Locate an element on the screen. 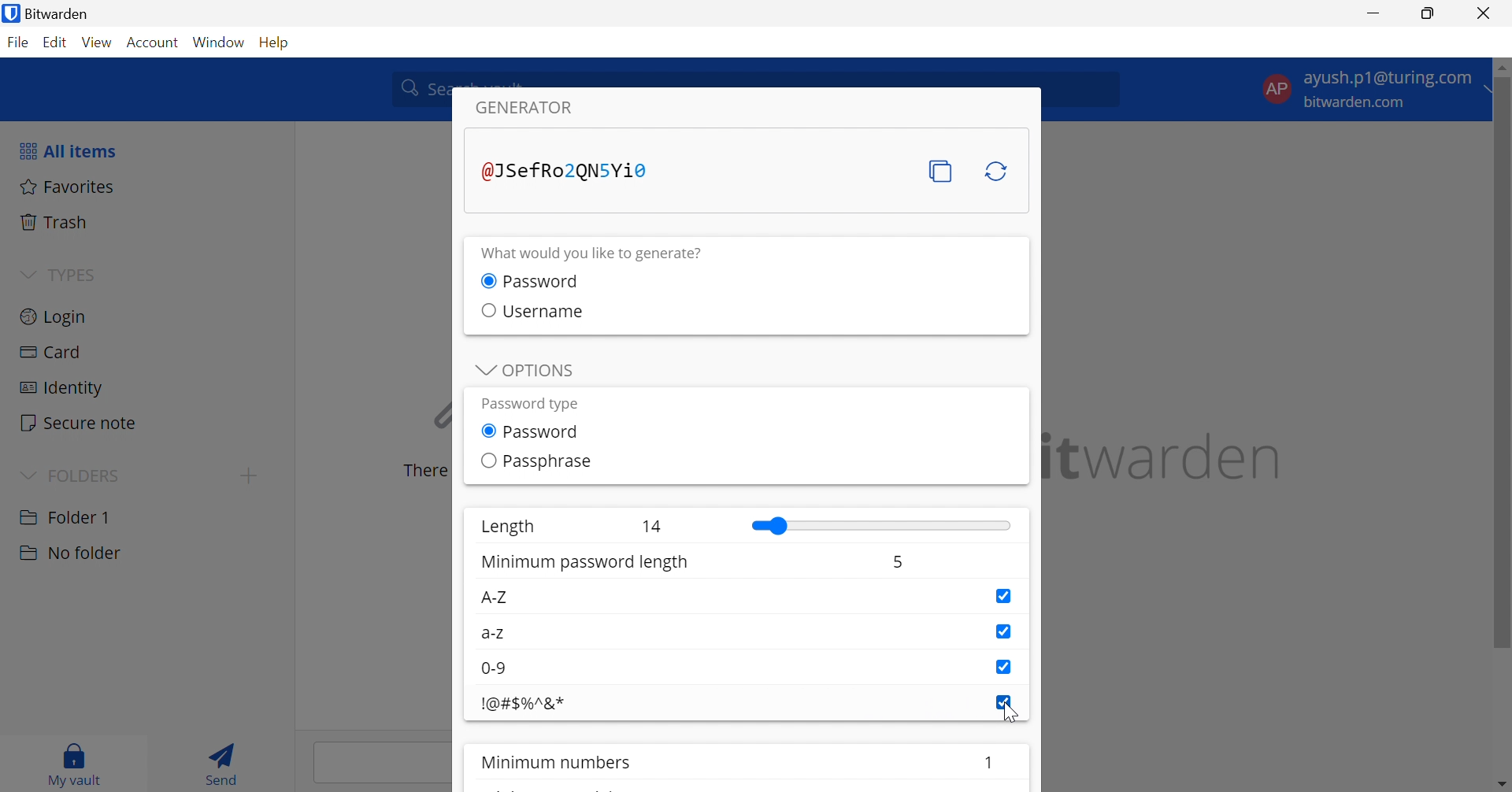  Minimize is located at coordinates (1374, 11).